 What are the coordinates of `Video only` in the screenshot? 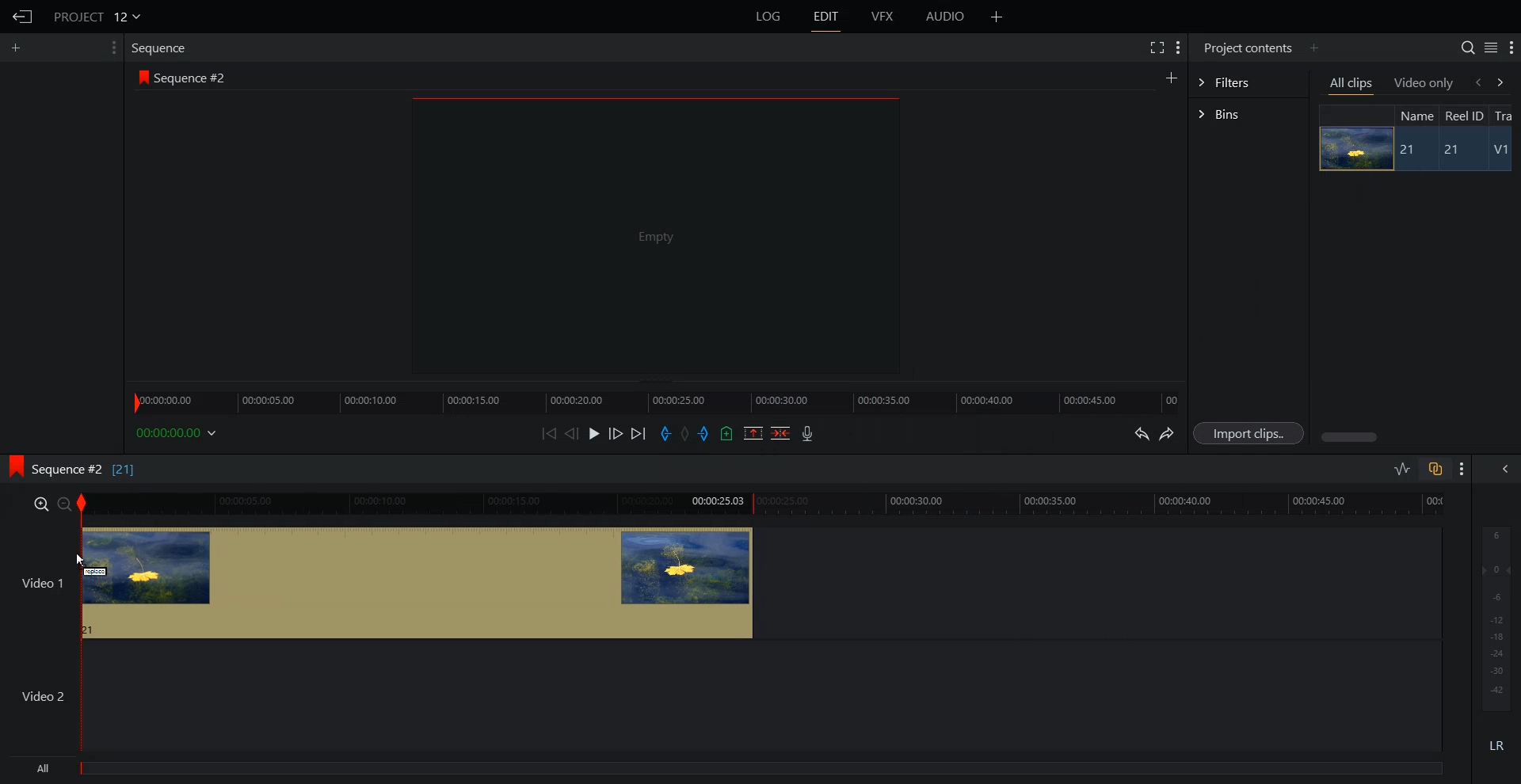 It's located at (1424, 82).